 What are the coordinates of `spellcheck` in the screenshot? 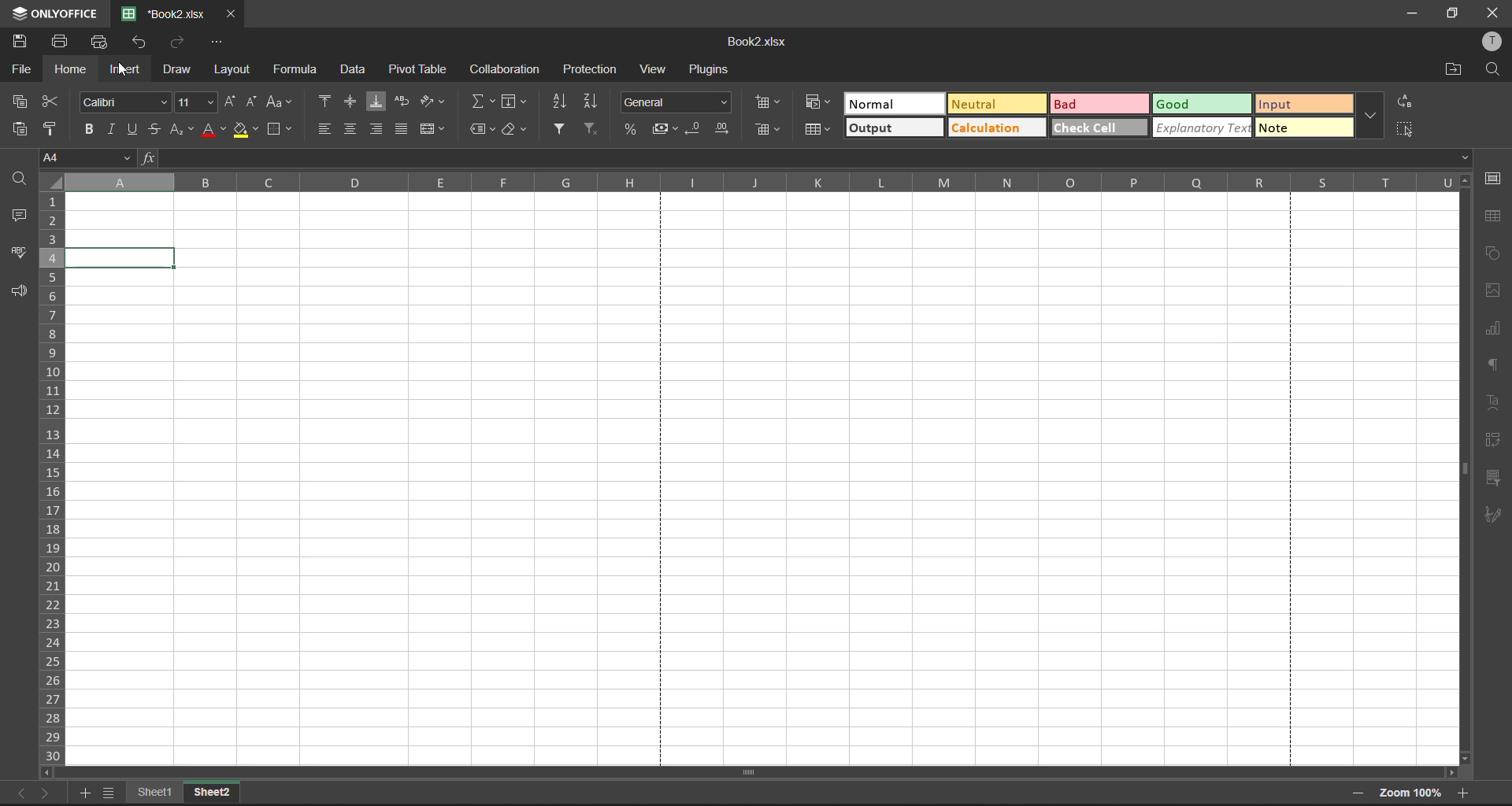 It's located at (20, 255).